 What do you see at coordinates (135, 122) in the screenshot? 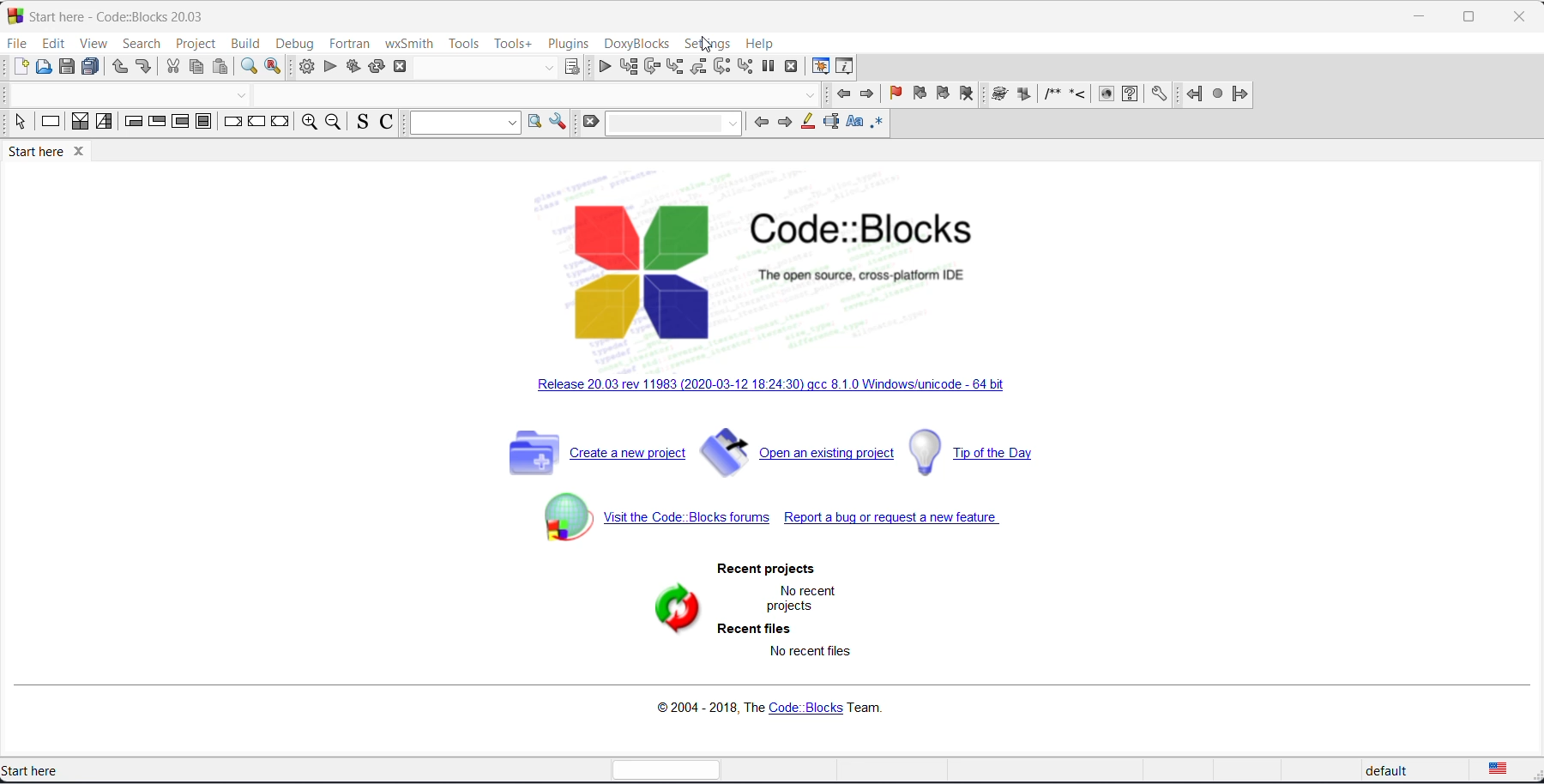
I see `entry condition loop` at bounding box center [135, 122].